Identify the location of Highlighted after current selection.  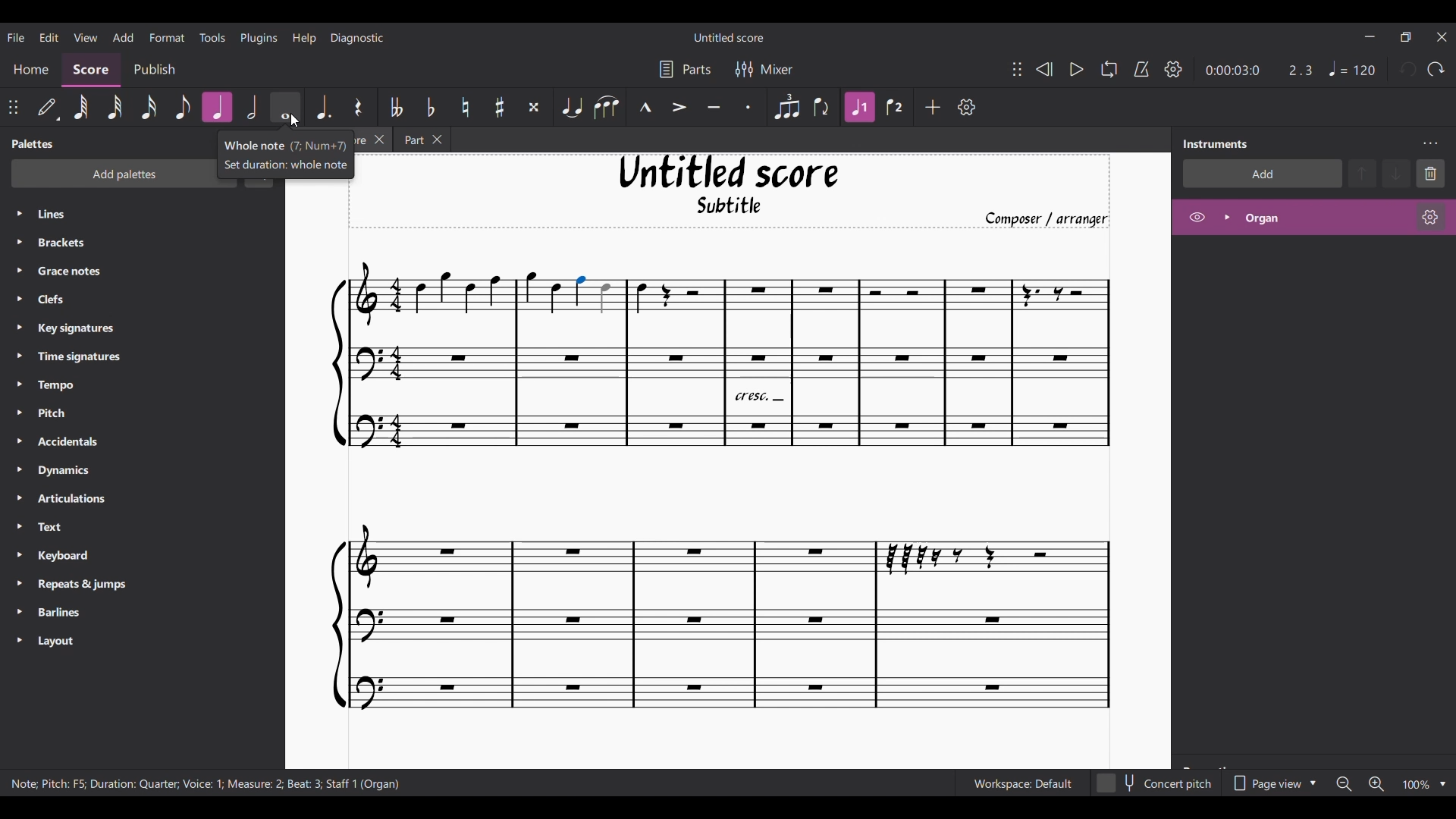
(860, 107).